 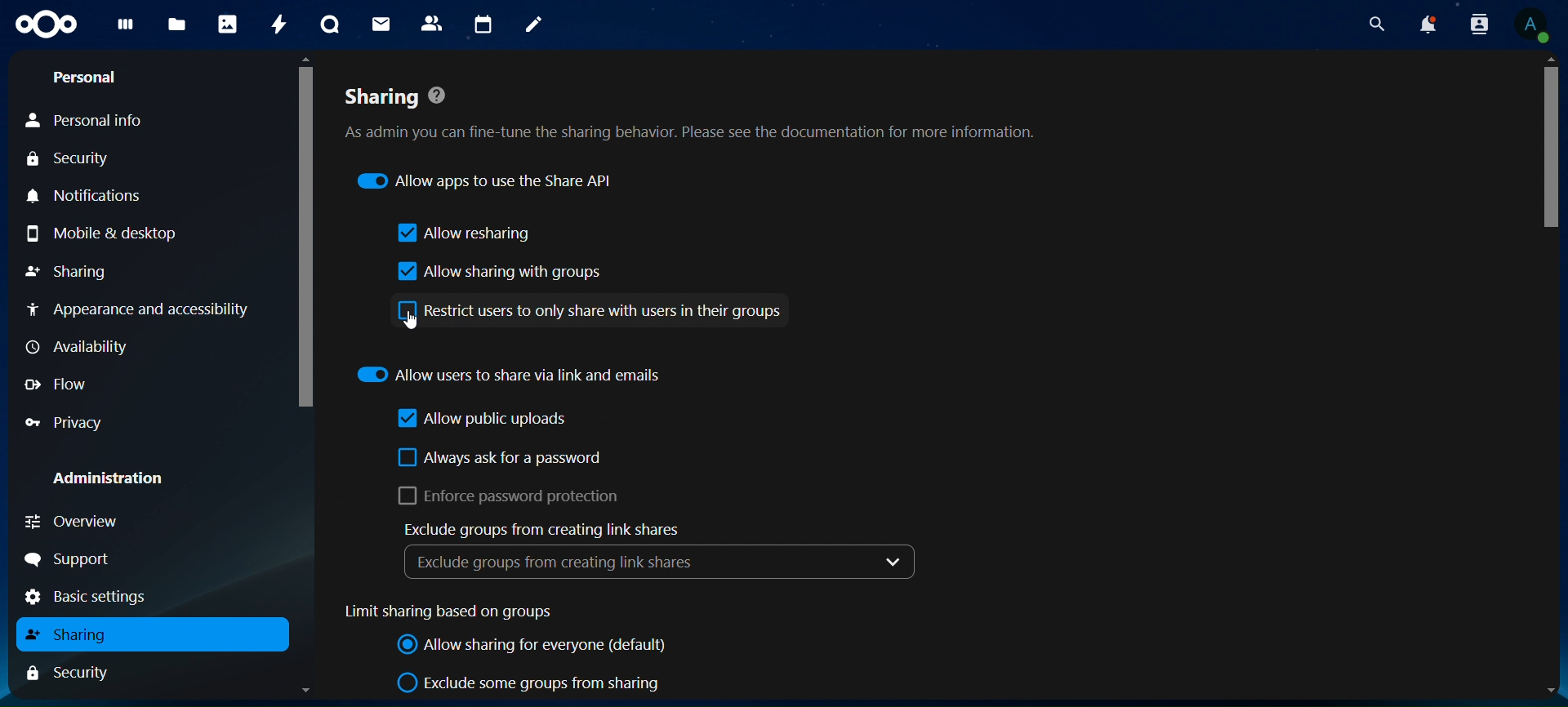 What do you see at coordinates (536, 646) in the screenshot?
I see `allow sharing for everyone` at bounding box center [536, 646].